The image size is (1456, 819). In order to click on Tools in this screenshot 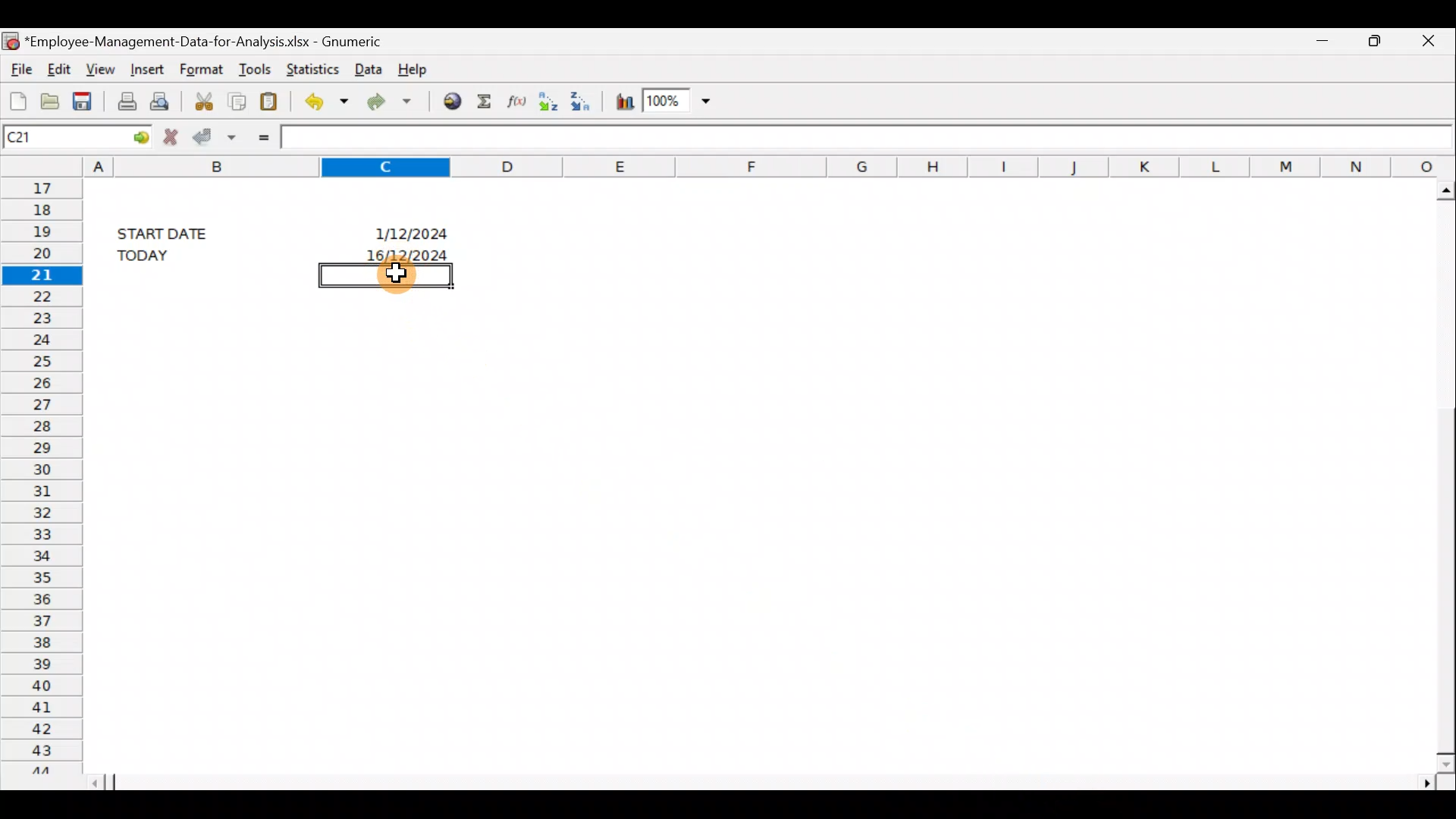, I will do `click(253, 65)`.